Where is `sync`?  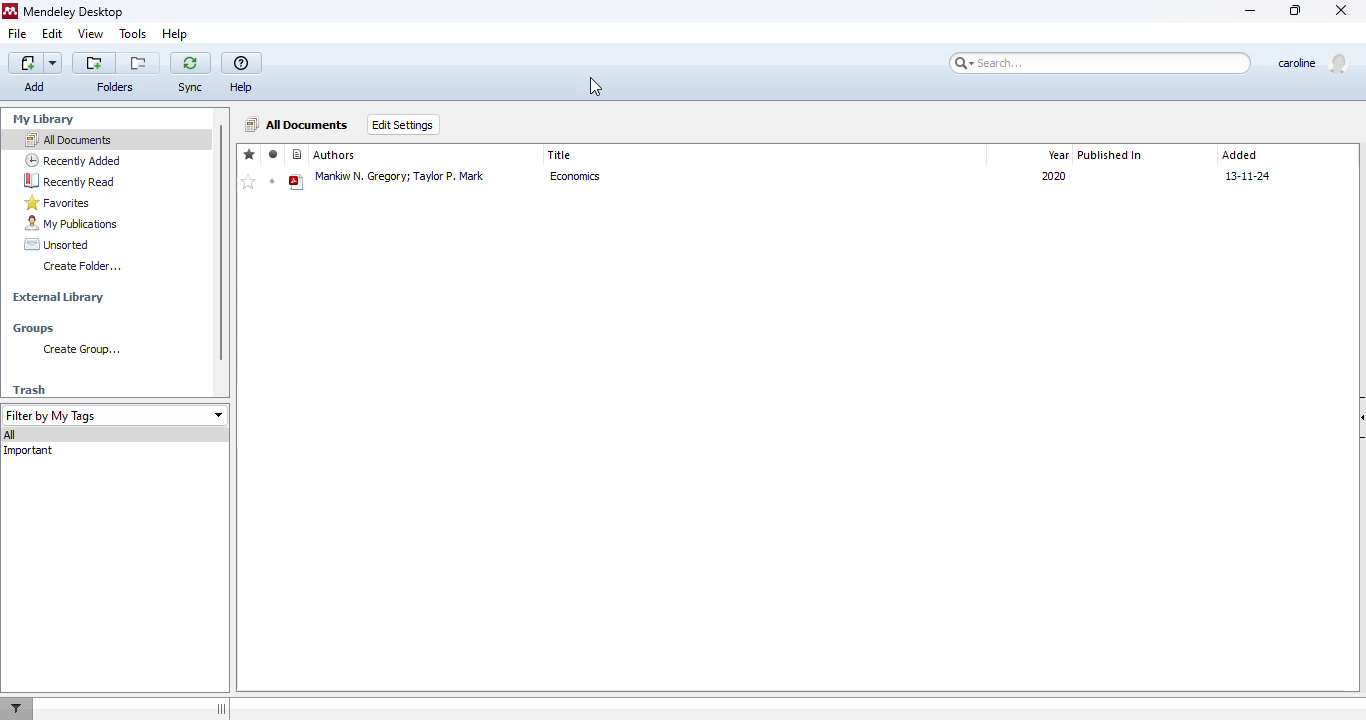
sync is located at coordinates (190, 63).